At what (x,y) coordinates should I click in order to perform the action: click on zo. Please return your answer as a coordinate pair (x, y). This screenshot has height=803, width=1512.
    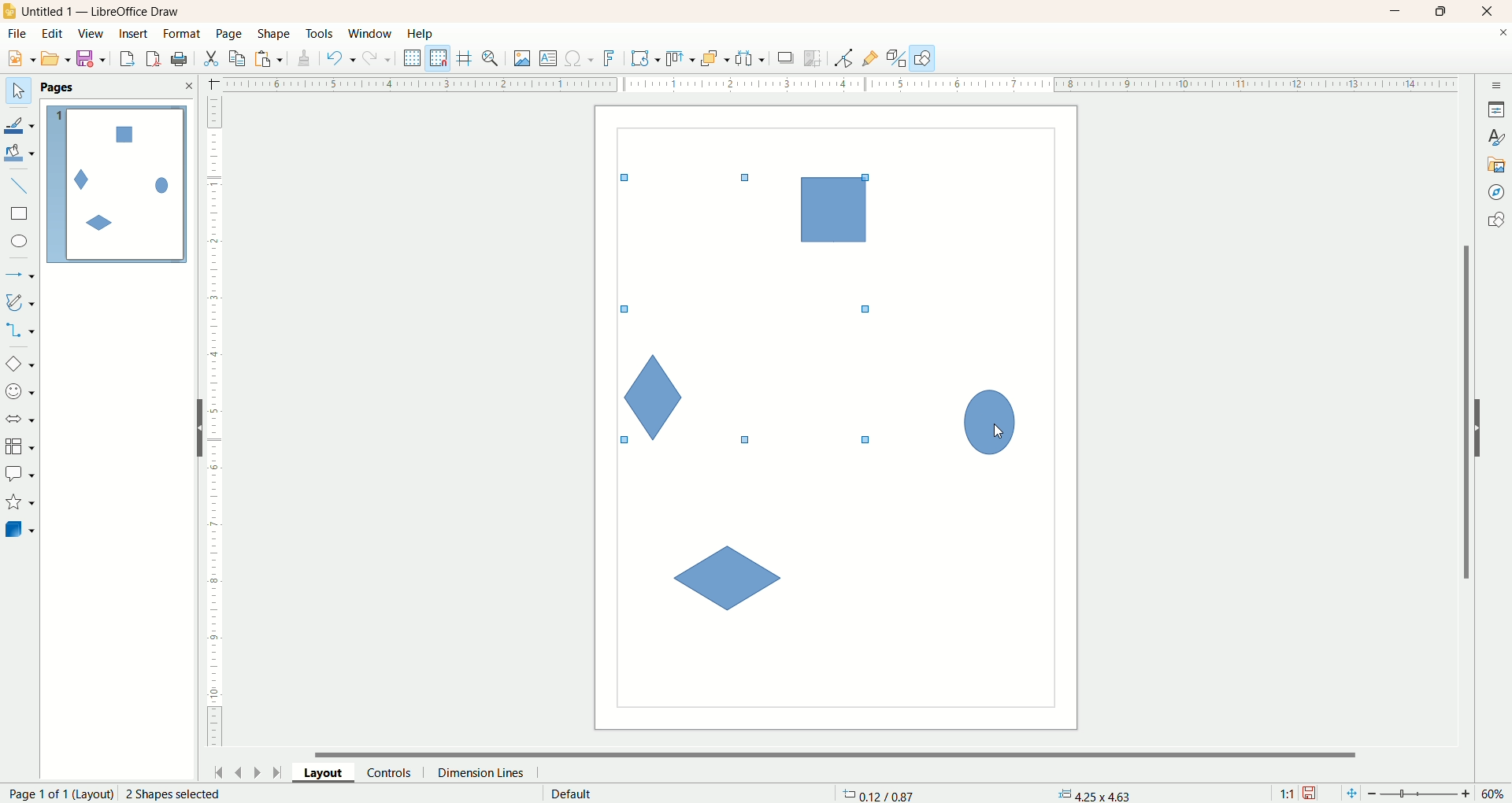
    Looking at the image, I should click on (493, 58).